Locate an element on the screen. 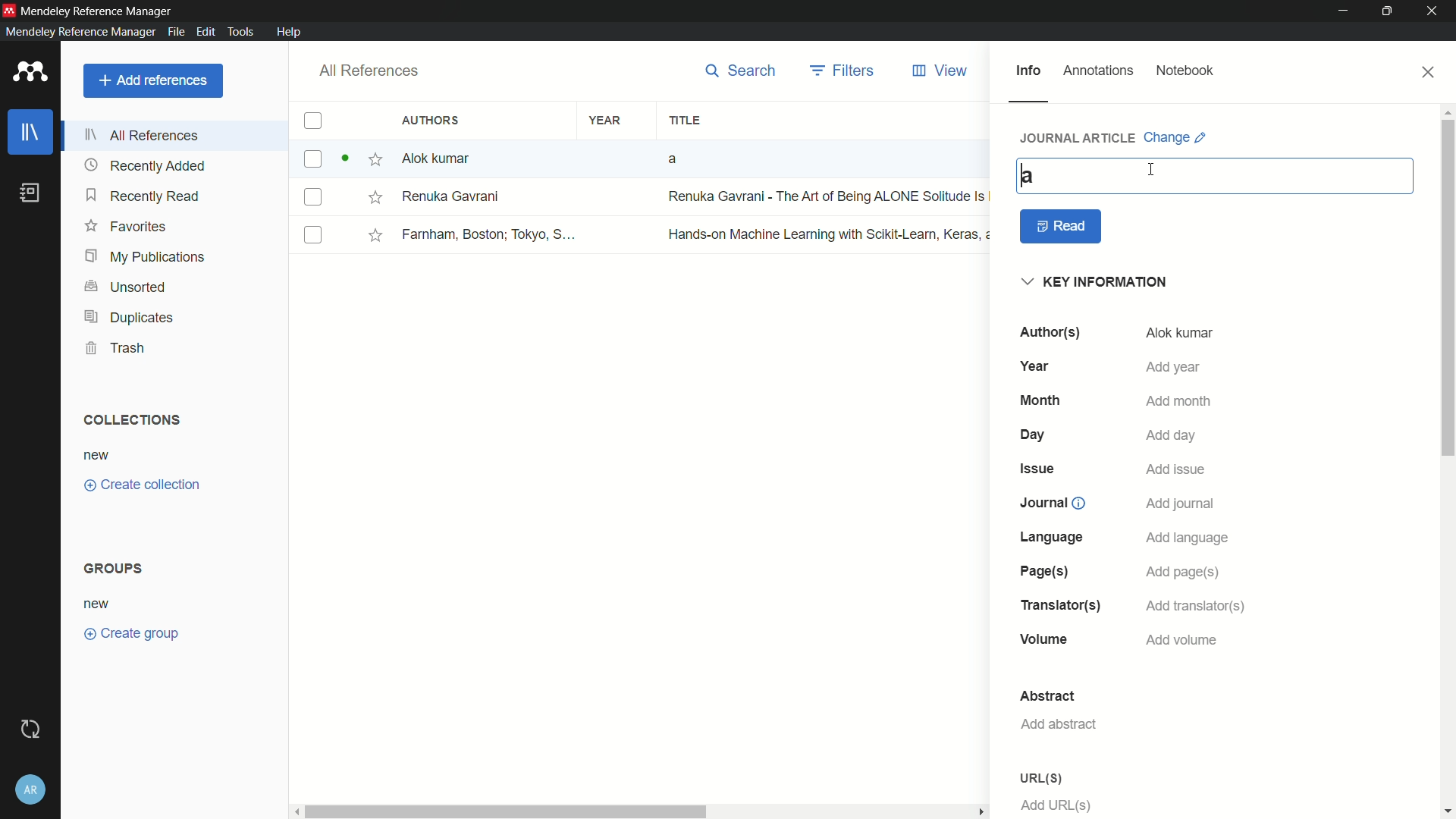 Image resolution: width=1456 pixels, height=819 pixels. trash is located at coordinates (117, 347).